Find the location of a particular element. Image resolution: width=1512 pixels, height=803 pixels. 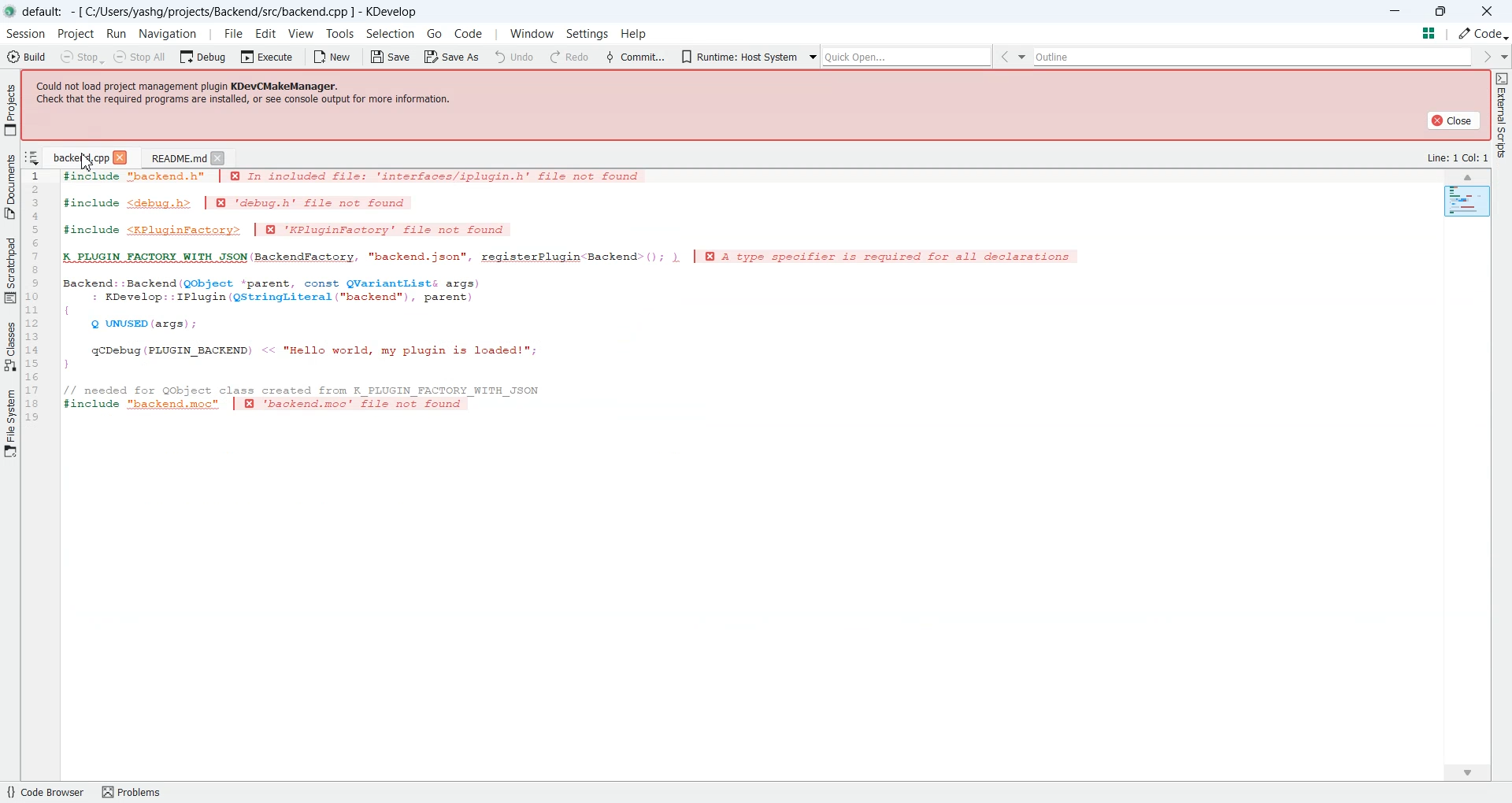

close is located at coordinates (123, 157).